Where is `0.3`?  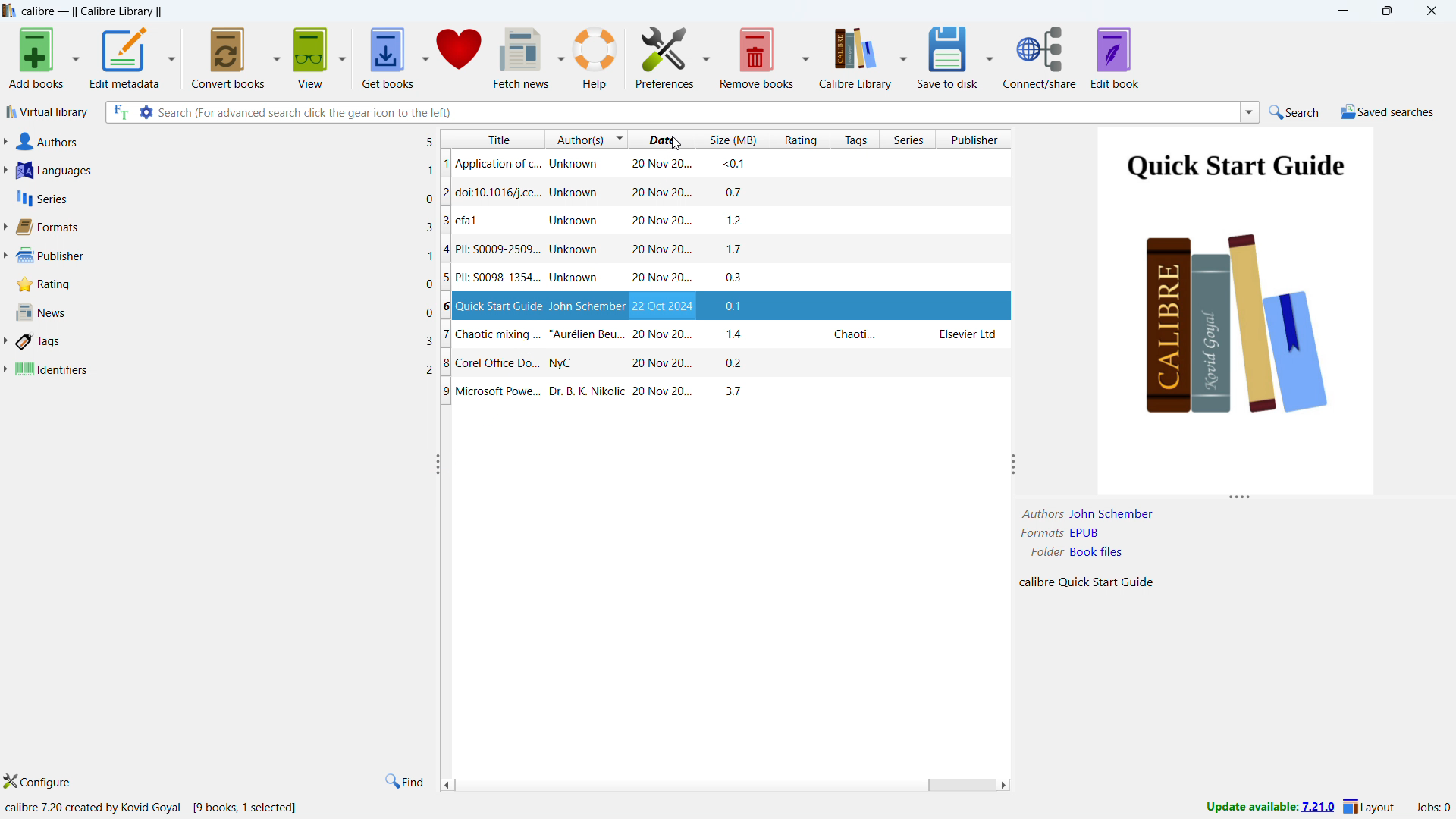
0.3 is located at coordinates (738, 278).